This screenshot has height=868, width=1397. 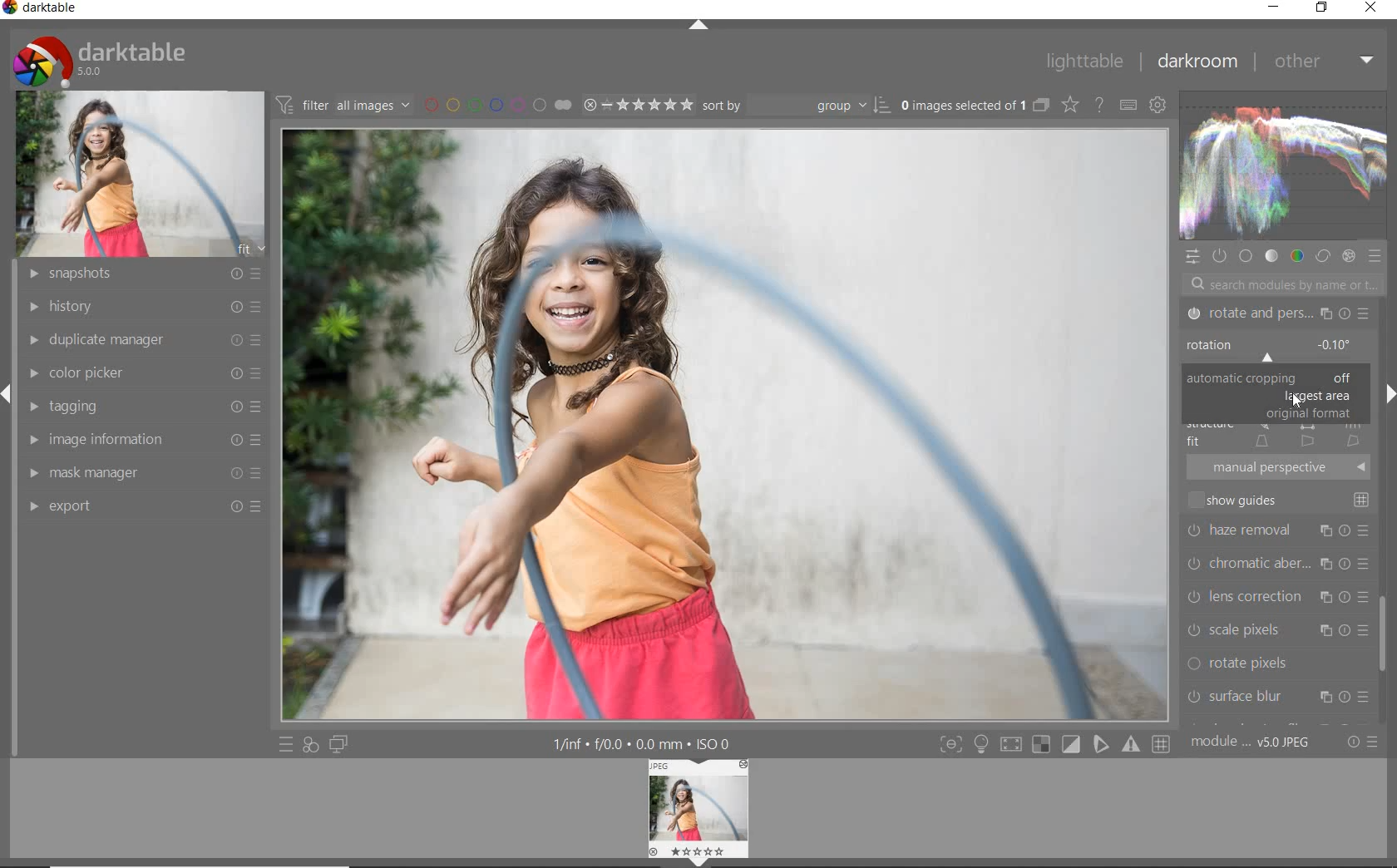 What do you see at coordinates (146, 505) in the screenshot?
I see `export` at bounding box center [146, 505].